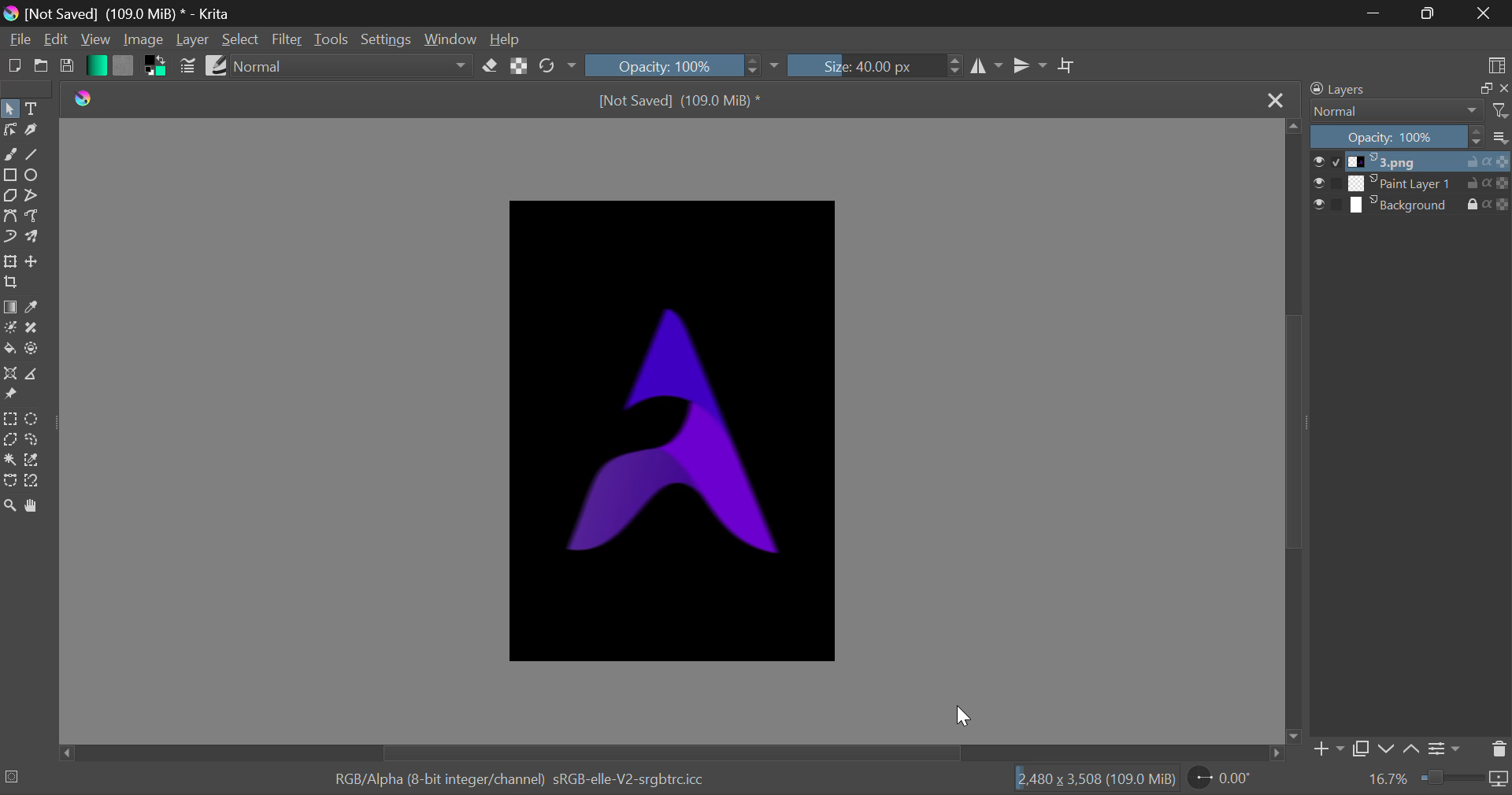 The height and width of the screenshot is (795, 1512). I want to click on Reference Images, so click(10, 397).